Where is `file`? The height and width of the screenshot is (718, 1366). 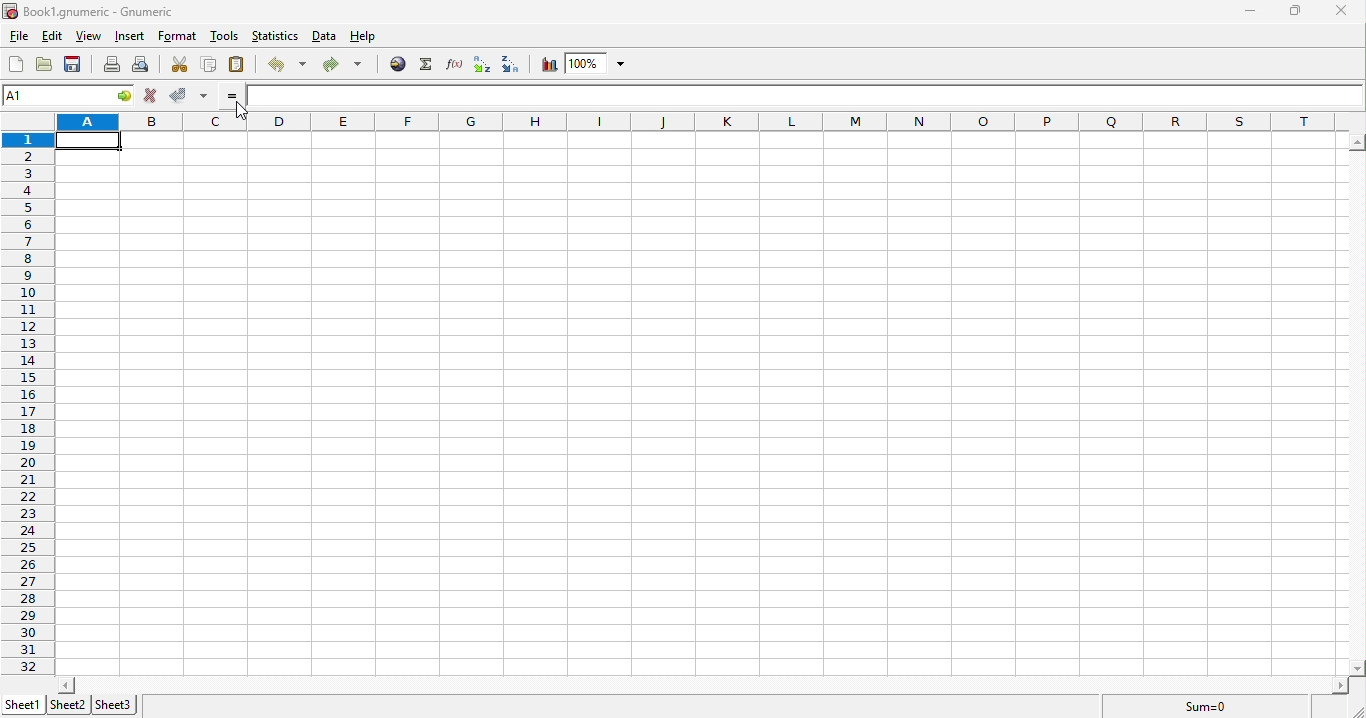 file is located at coordinates (21, 35).